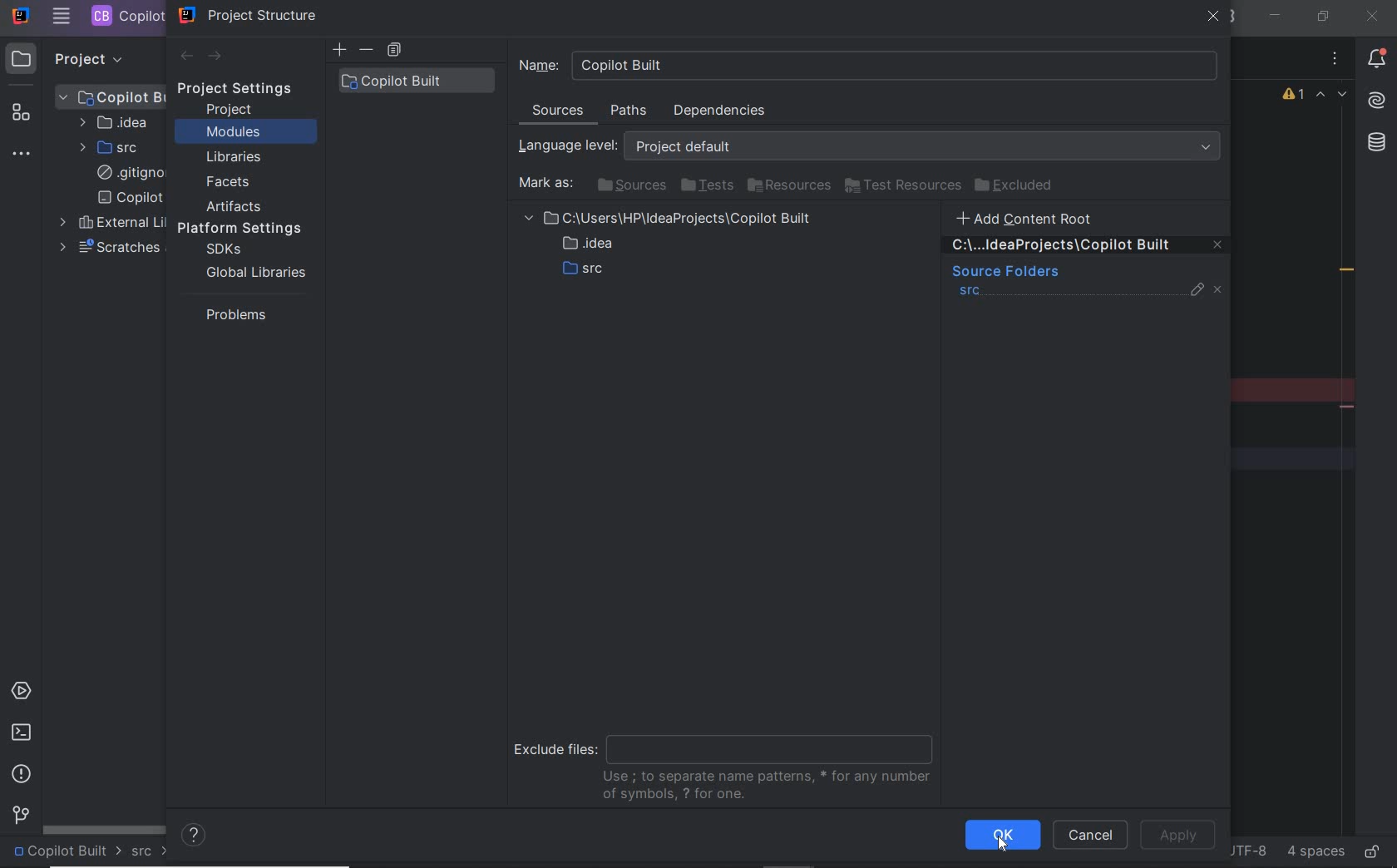 The width and height of the screenshot is (1397, 868). I want to click on PROJECT FILE NAME, so click(126, 16).